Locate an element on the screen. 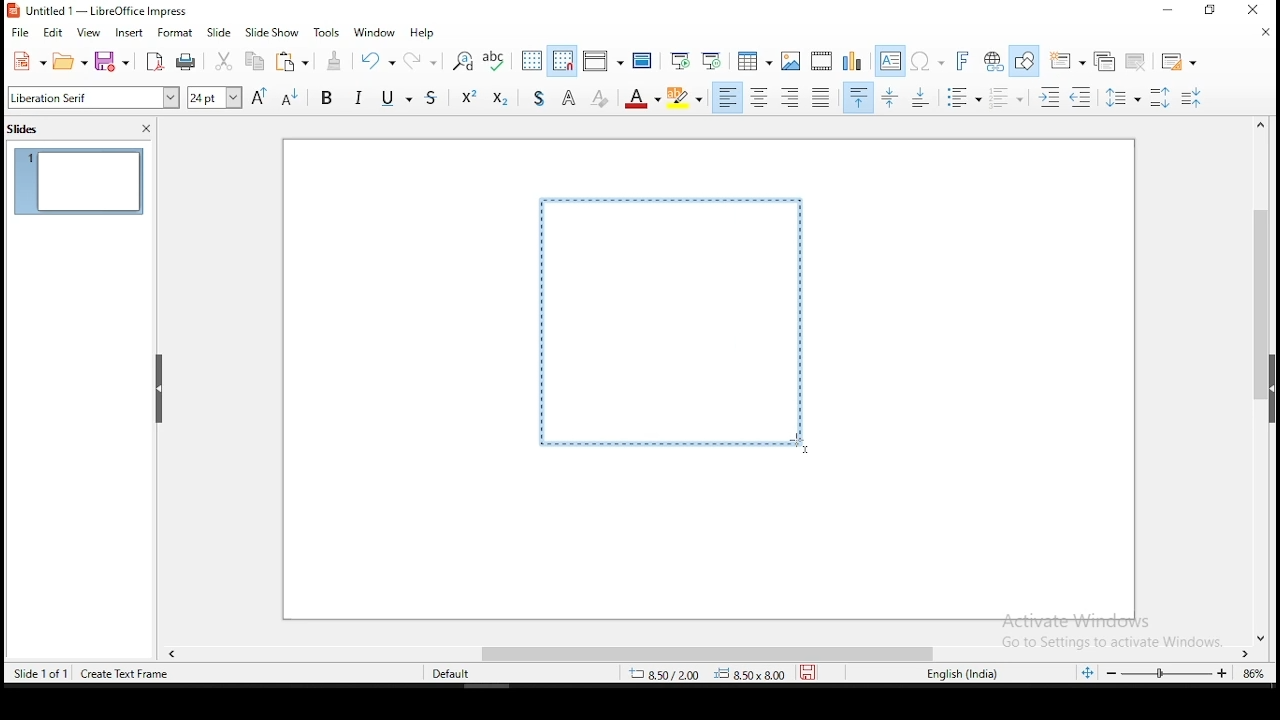 Image resolution: width=1280 pixels, height=720 pixels. decrease paragraph spacing is located at coordinates (1193, 98).